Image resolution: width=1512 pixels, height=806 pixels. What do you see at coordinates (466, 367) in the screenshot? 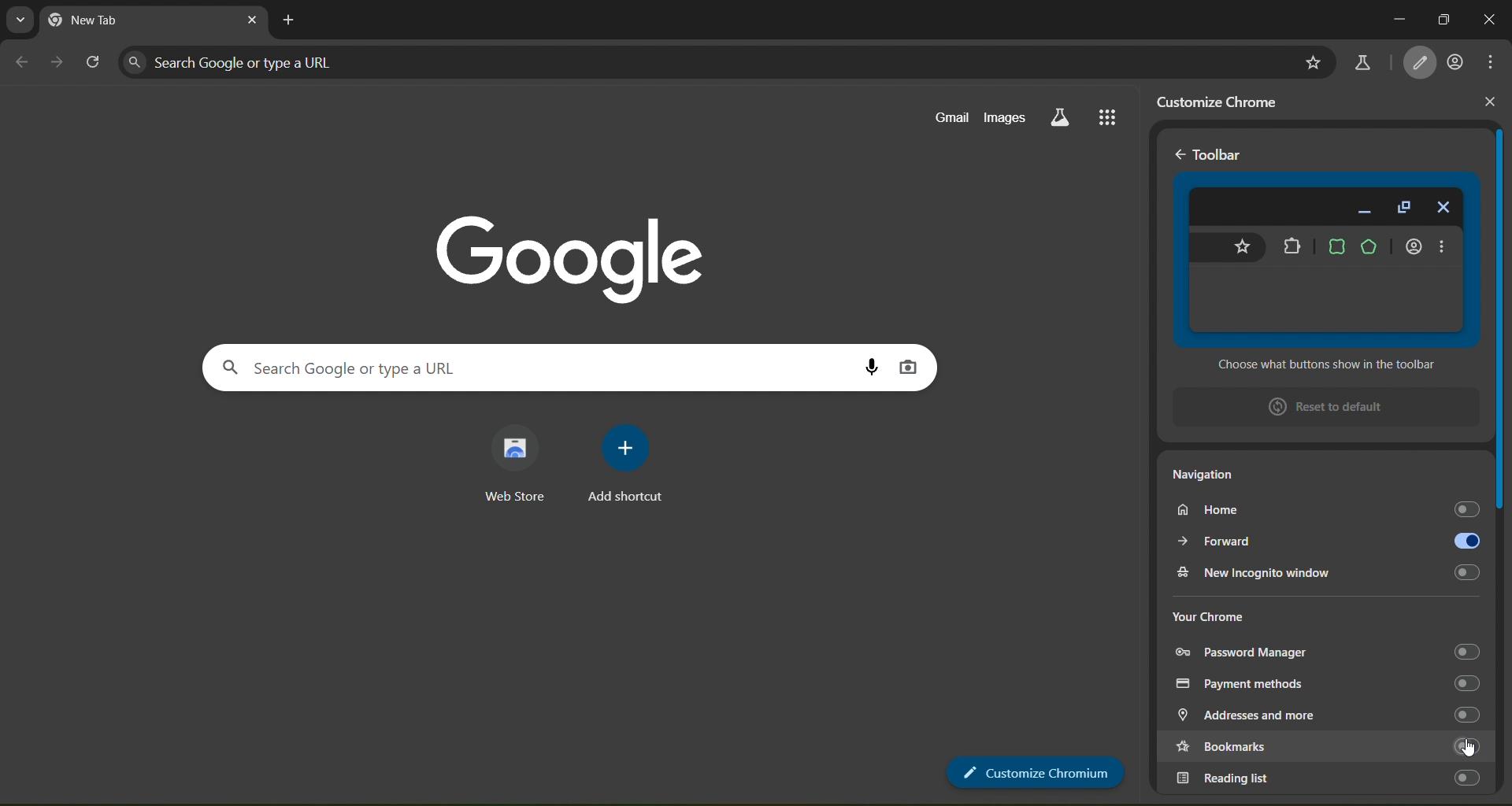
I see `search panel` at bounding box center [466, 367].